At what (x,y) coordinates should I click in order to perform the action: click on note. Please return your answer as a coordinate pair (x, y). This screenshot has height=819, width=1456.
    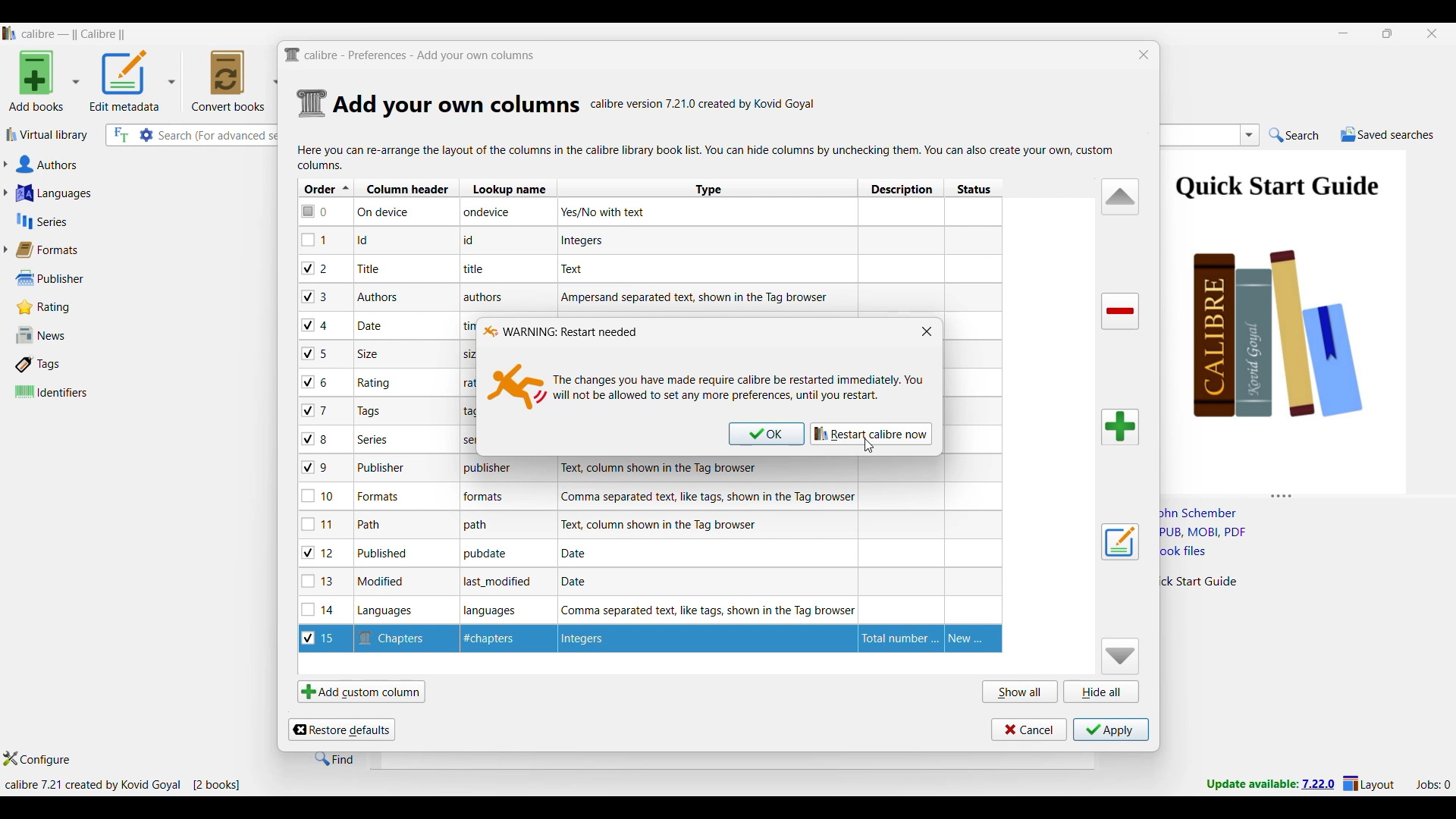
    Looking at the image, I should click on (491, 467).